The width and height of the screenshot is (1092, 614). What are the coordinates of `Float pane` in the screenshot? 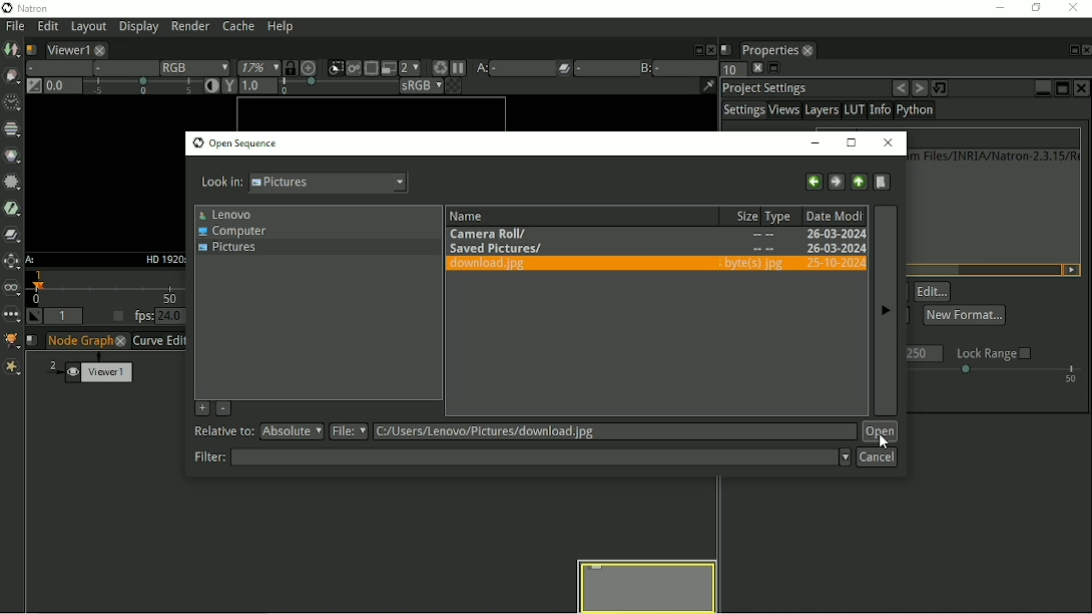 It's located at (774, 69).